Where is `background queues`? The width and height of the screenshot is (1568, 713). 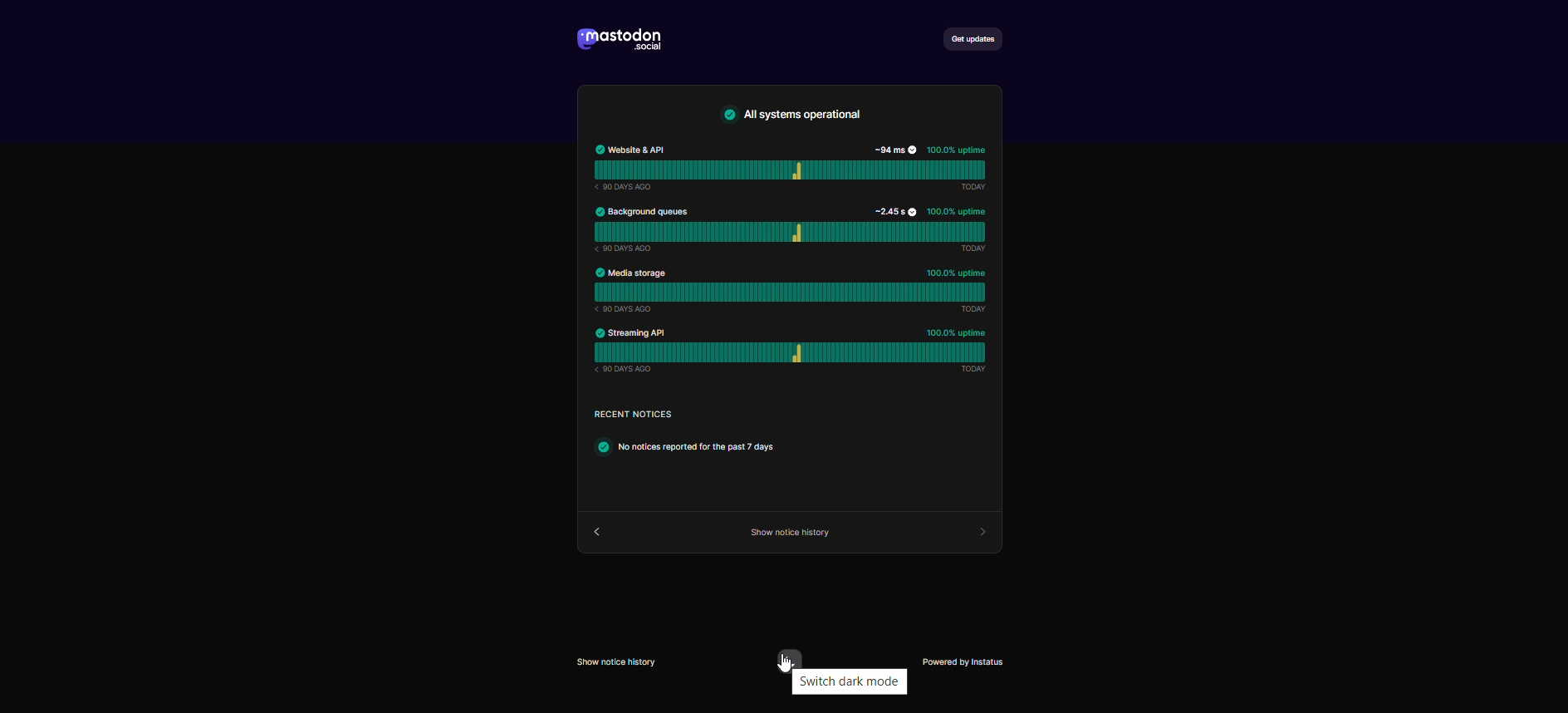
background queues is located at coordinates (793, 227).